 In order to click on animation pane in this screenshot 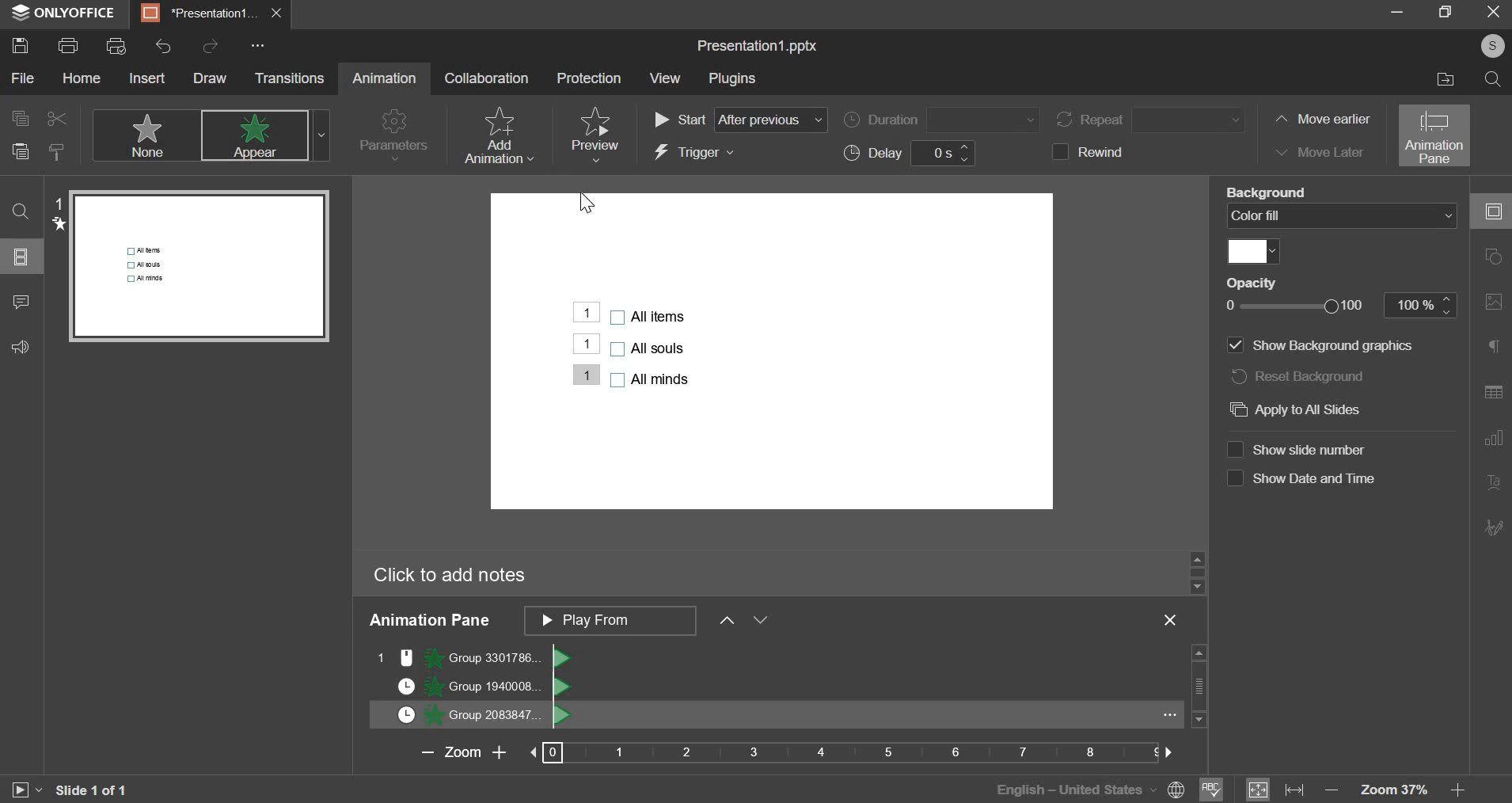, I will do `click(1435, 135)`.